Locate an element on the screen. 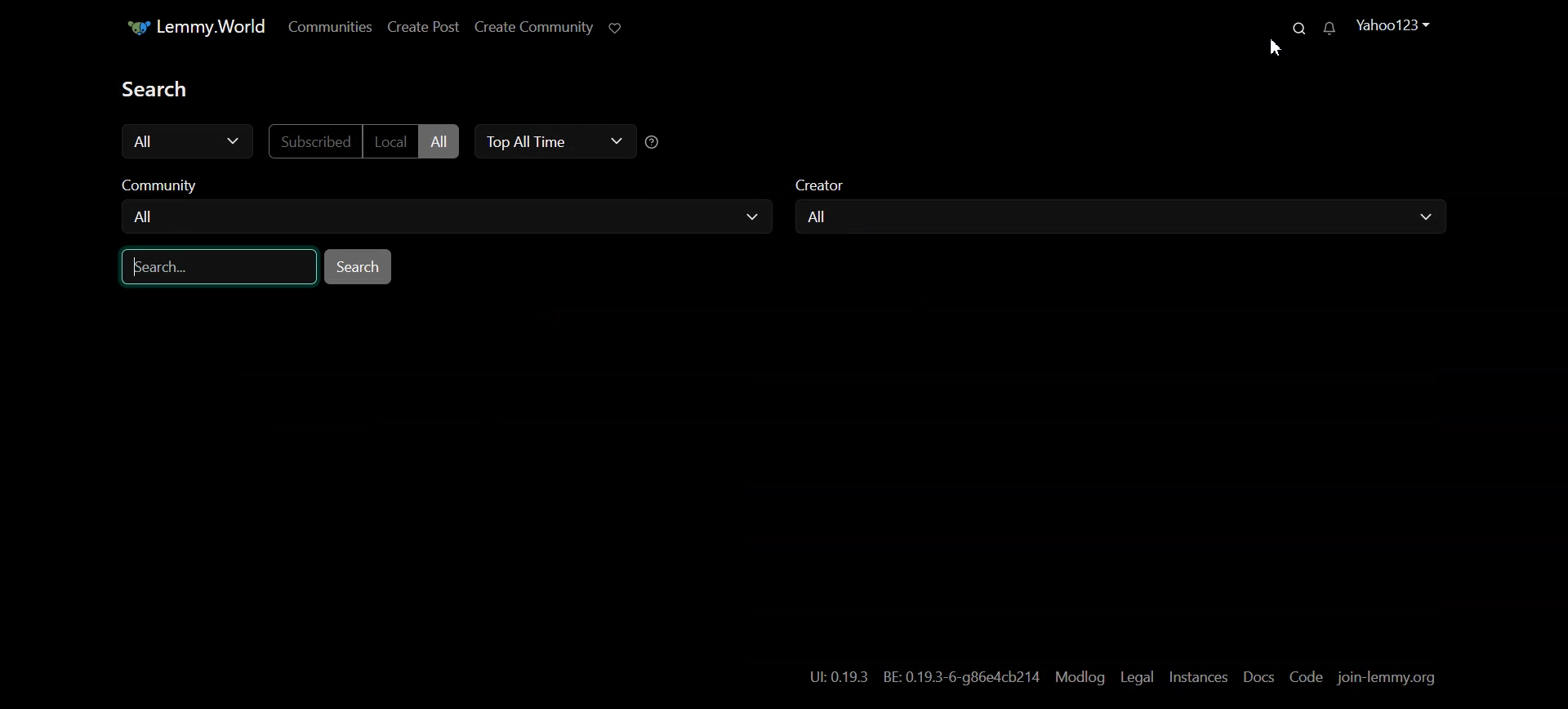 This screenshot has height=709, width=1568. Text is located at coordinates (153, 88).